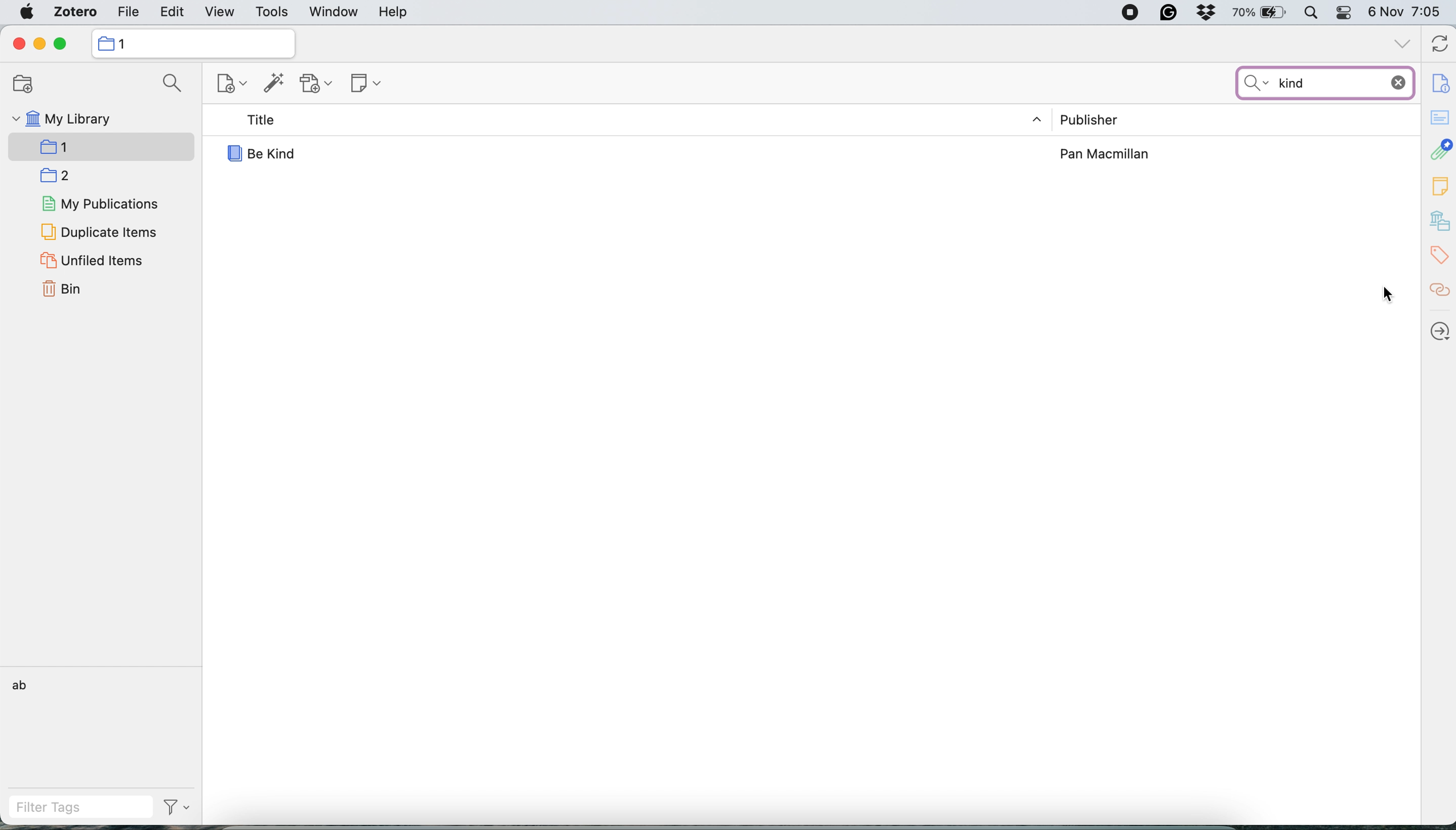 This screenshot has height=830, width=1456. What do you see at coordinates (1129, 13) in the screenshot?
I see `screen recorder` at bounding box center [1129, 13].